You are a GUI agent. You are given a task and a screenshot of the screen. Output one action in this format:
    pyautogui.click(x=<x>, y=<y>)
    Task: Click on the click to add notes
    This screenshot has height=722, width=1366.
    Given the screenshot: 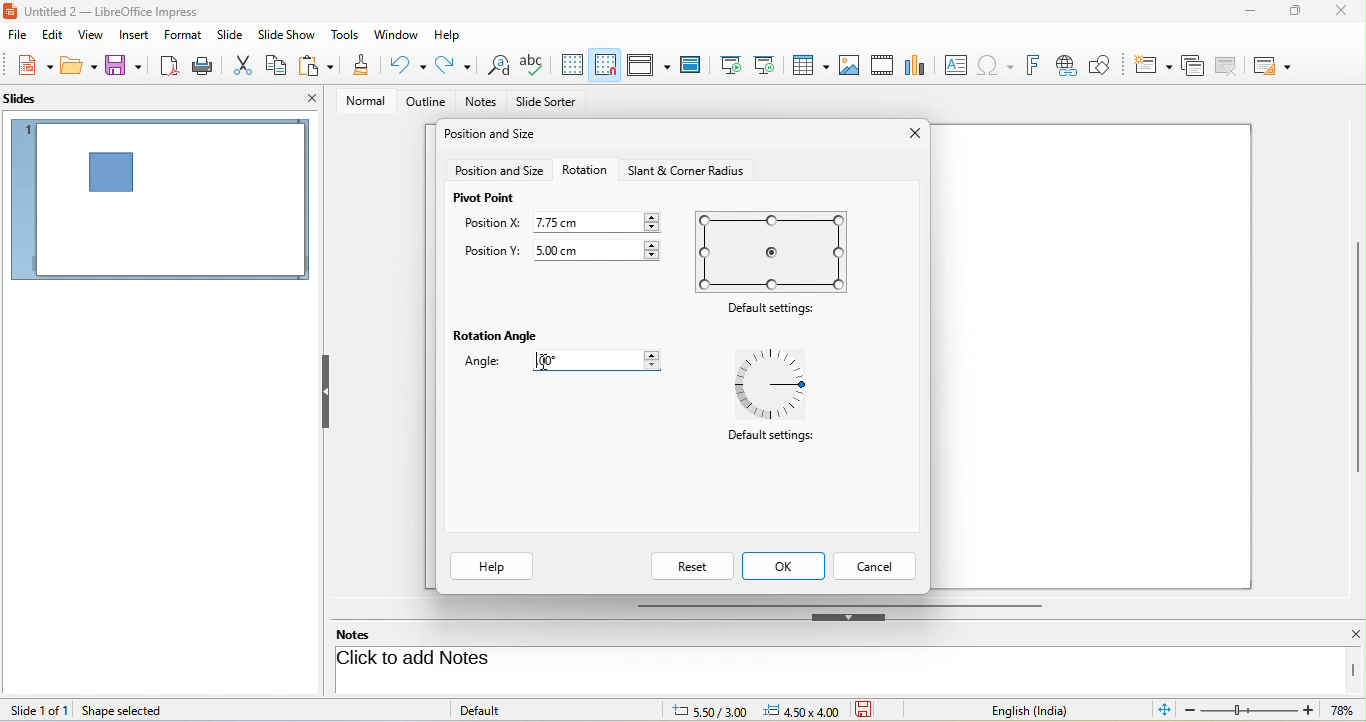 What is the action you would take?
    pyautogui.click(x=492, y=660)
    